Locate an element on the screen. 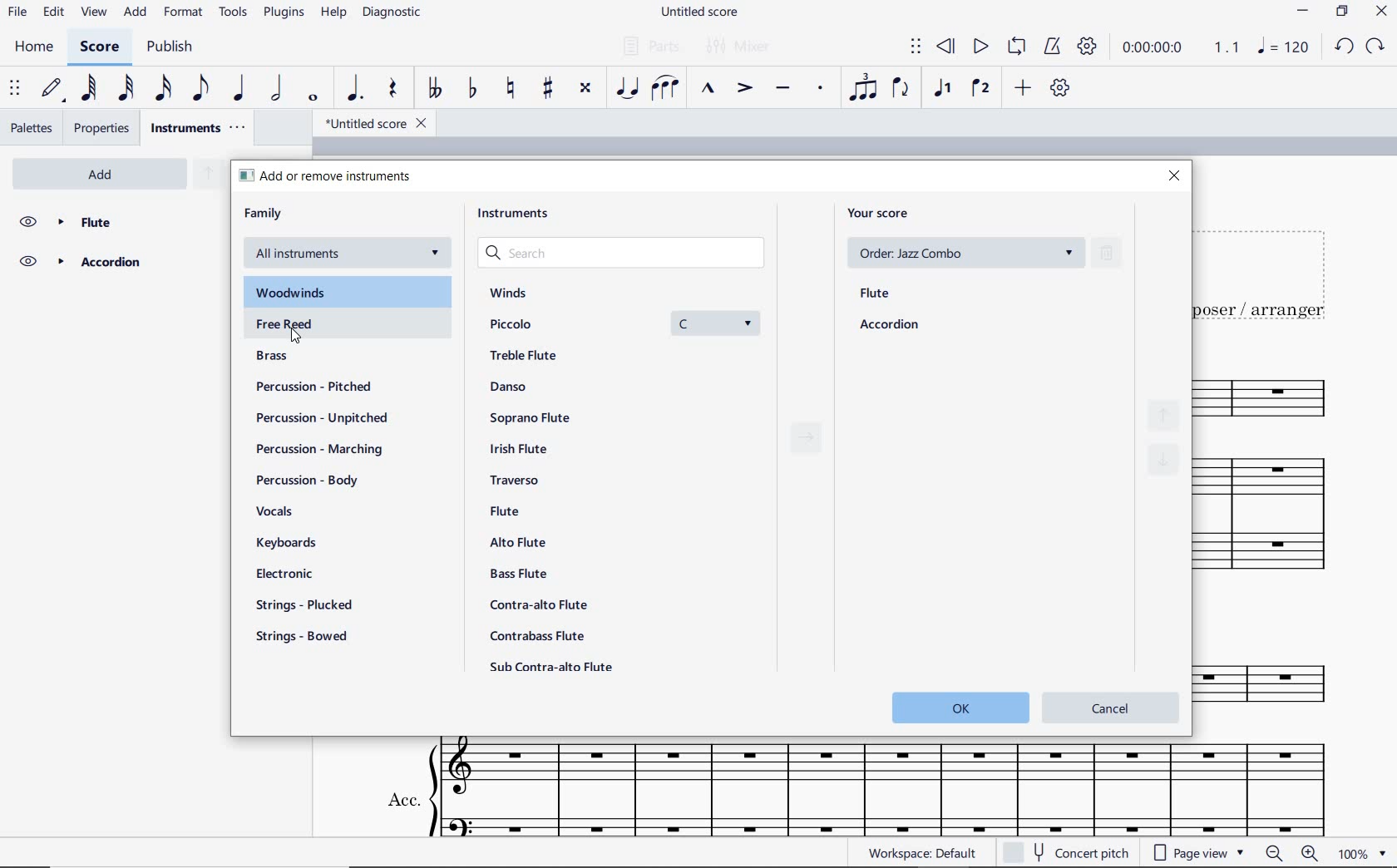  ok is located at coordinates (960, 708).